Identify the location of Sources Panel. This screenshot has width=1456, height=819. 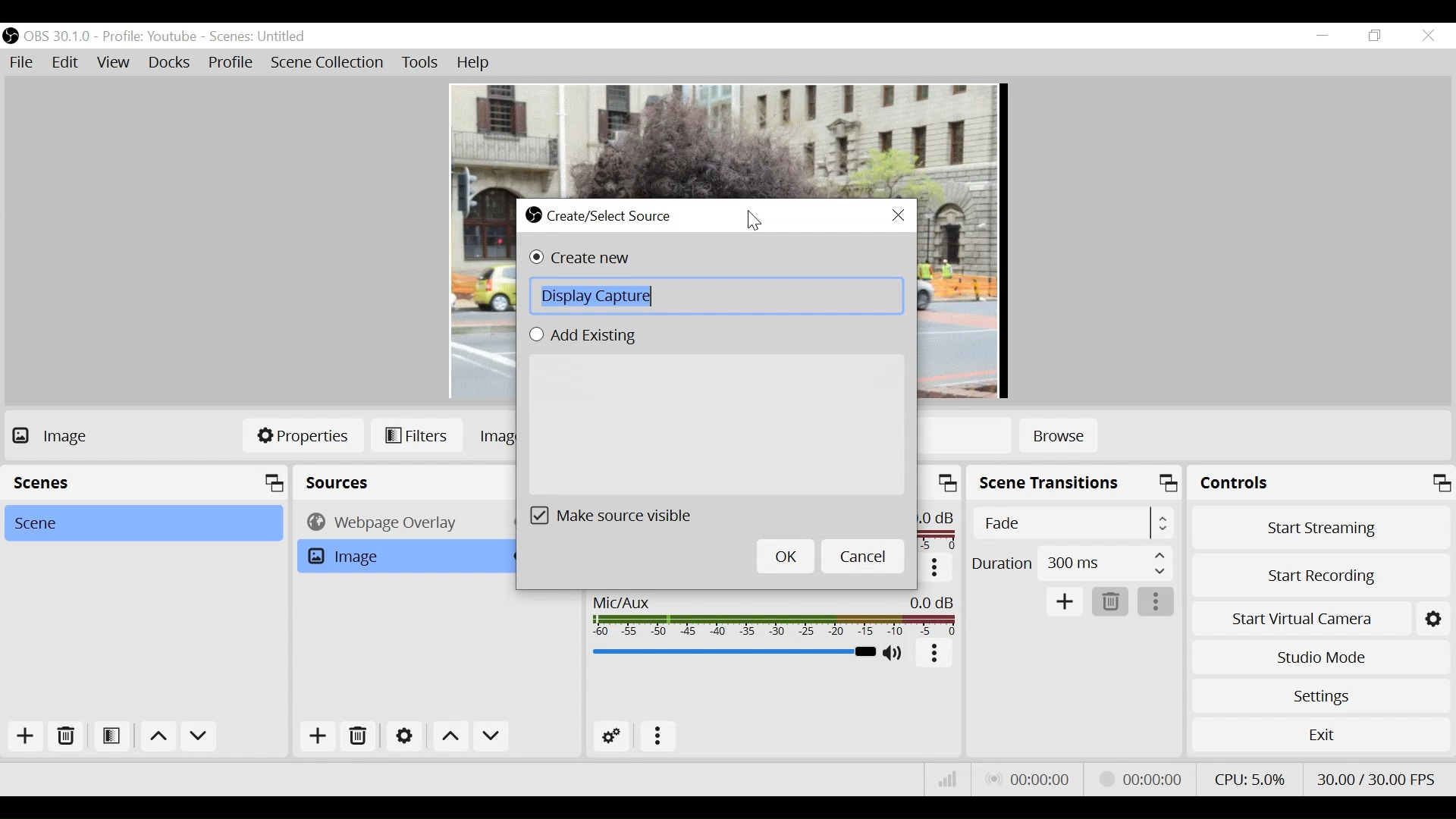
(397, 482).